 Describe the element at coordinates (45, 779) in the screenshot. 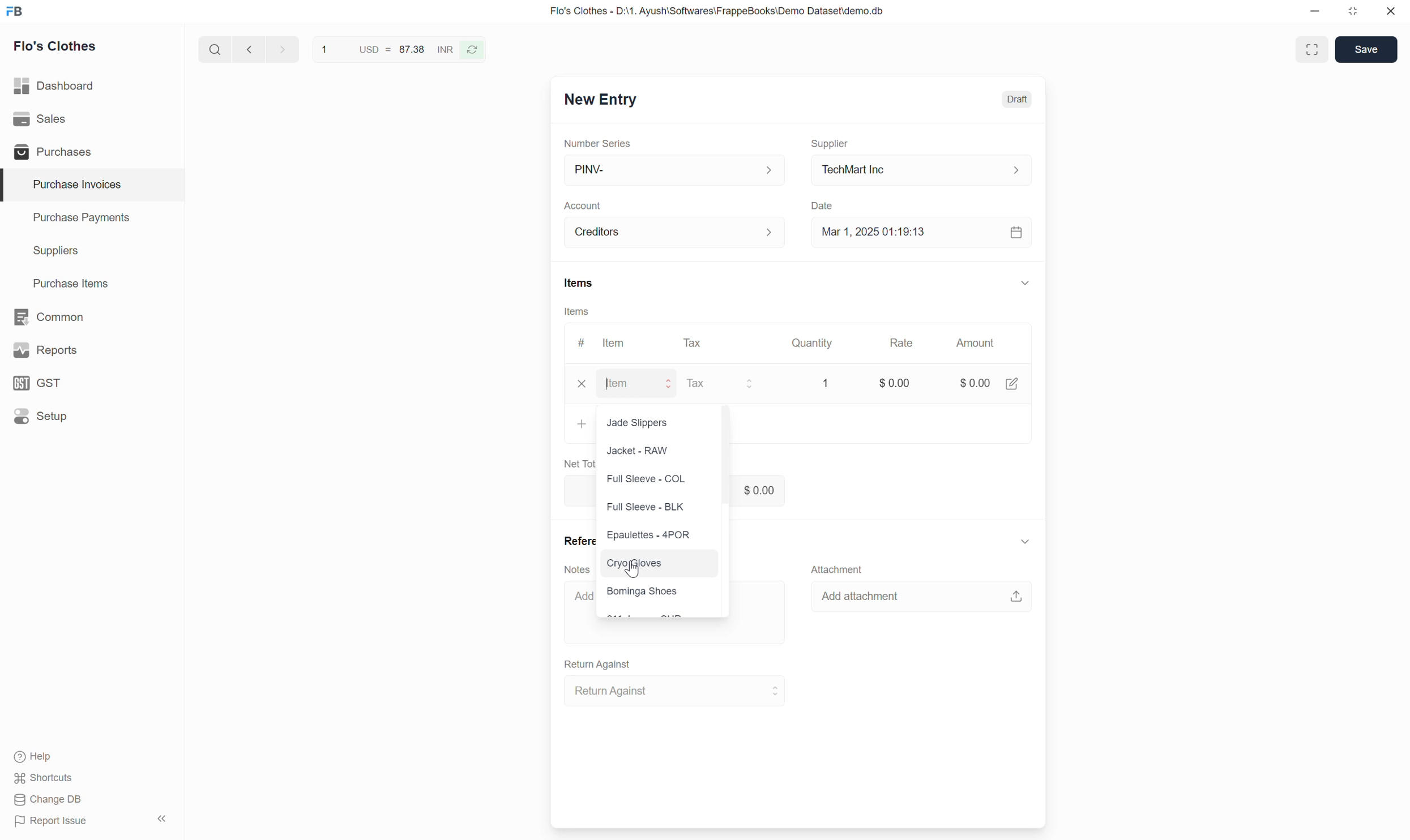

I see `Shortcuts` at that location.